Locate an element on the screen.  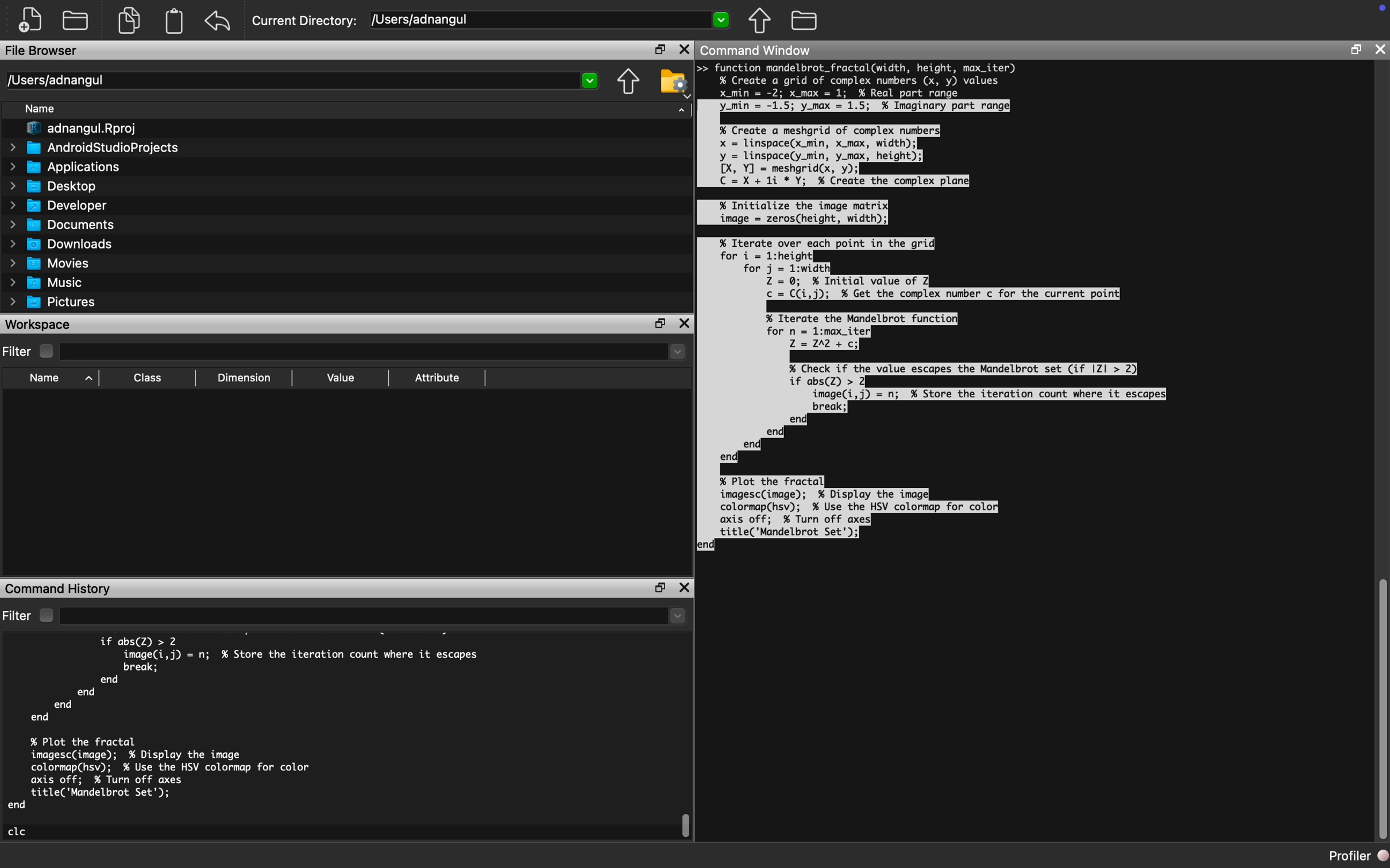
Redo is located at coordinates (221, 22).